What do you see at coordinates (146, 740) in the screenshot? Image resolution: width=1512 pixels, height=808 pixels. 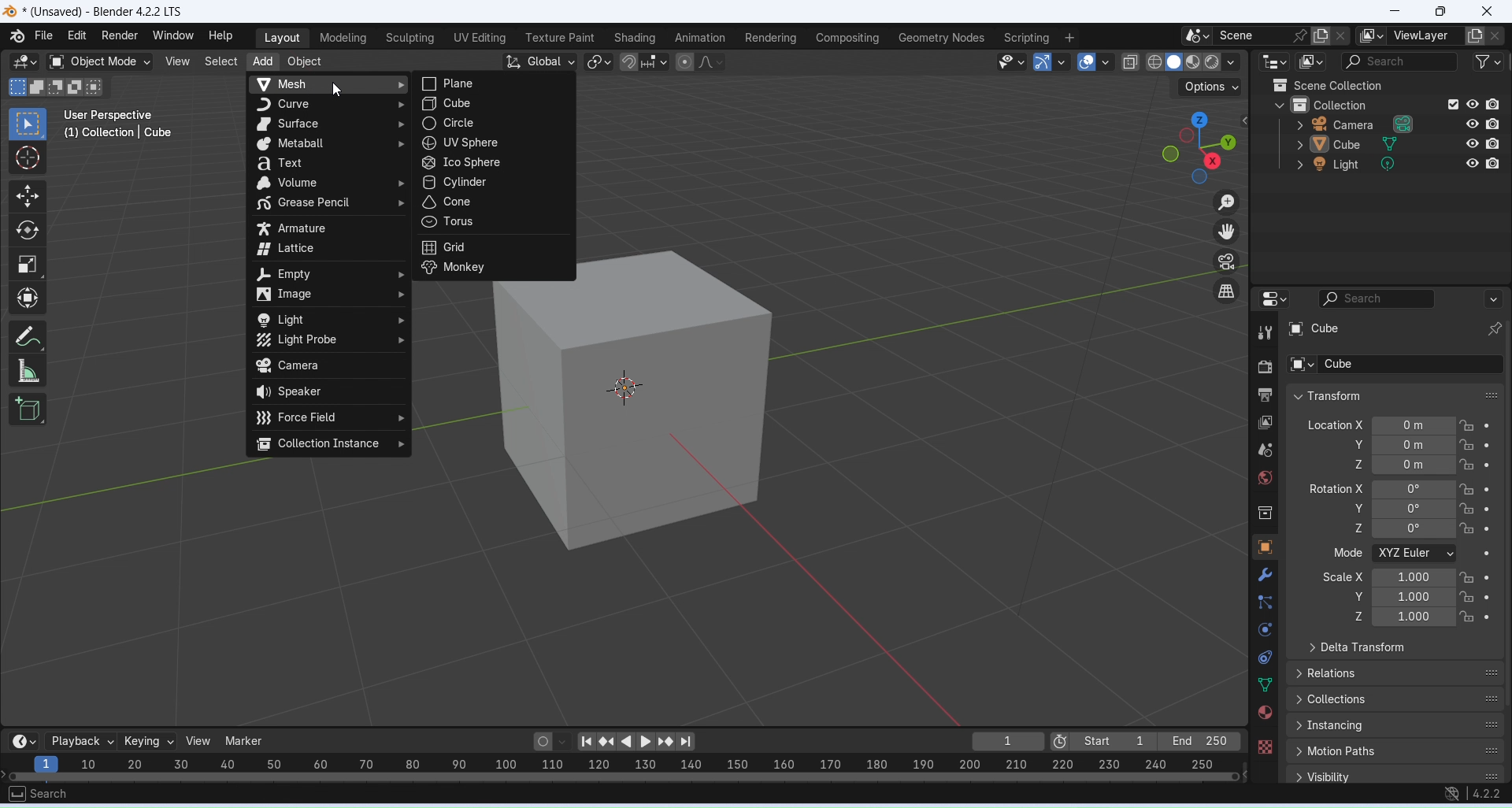 I see `Keying` at bounding box center [146, 740].